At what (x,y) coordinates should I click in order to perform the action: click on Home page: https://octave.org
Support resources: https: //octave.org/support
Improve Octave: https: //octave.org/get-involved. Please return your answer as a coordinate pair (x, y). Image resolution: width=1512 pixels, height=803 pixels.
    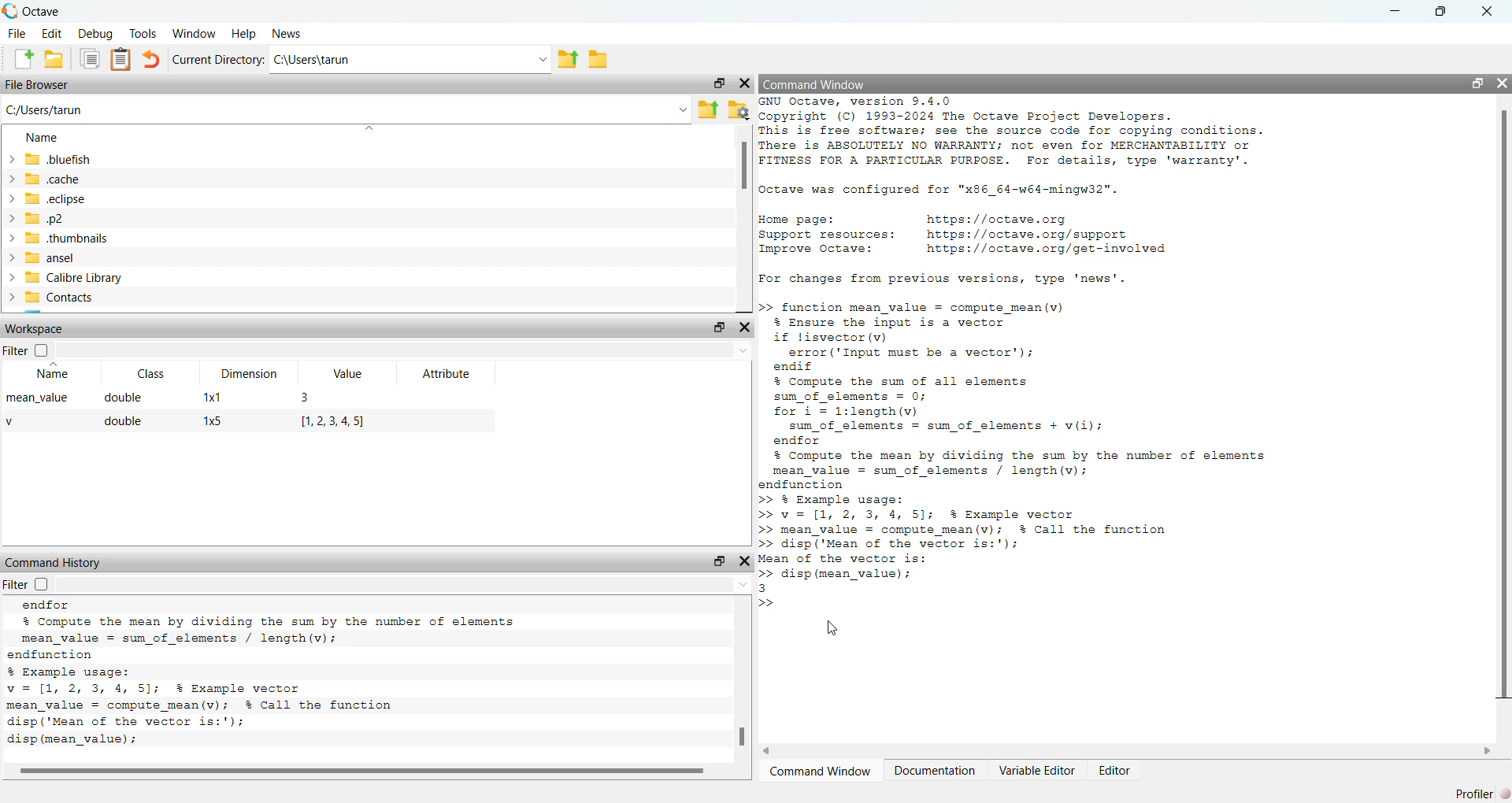
    Looking at the image, I should click on (966, 236).